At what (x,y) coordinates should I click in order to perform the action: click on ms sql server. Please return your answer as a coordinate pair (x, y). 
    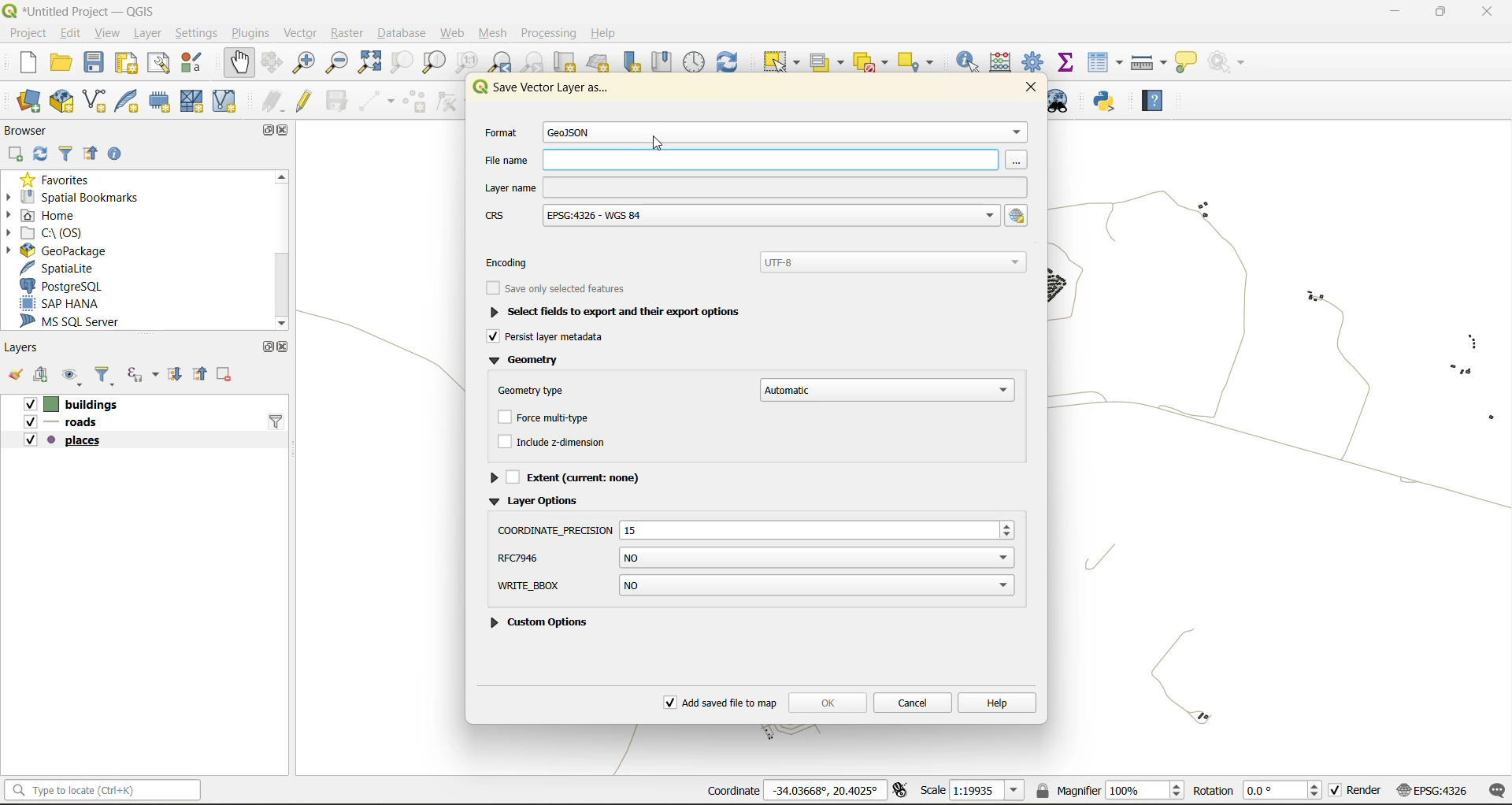
    Looking at the image, I should click on (80, 322).